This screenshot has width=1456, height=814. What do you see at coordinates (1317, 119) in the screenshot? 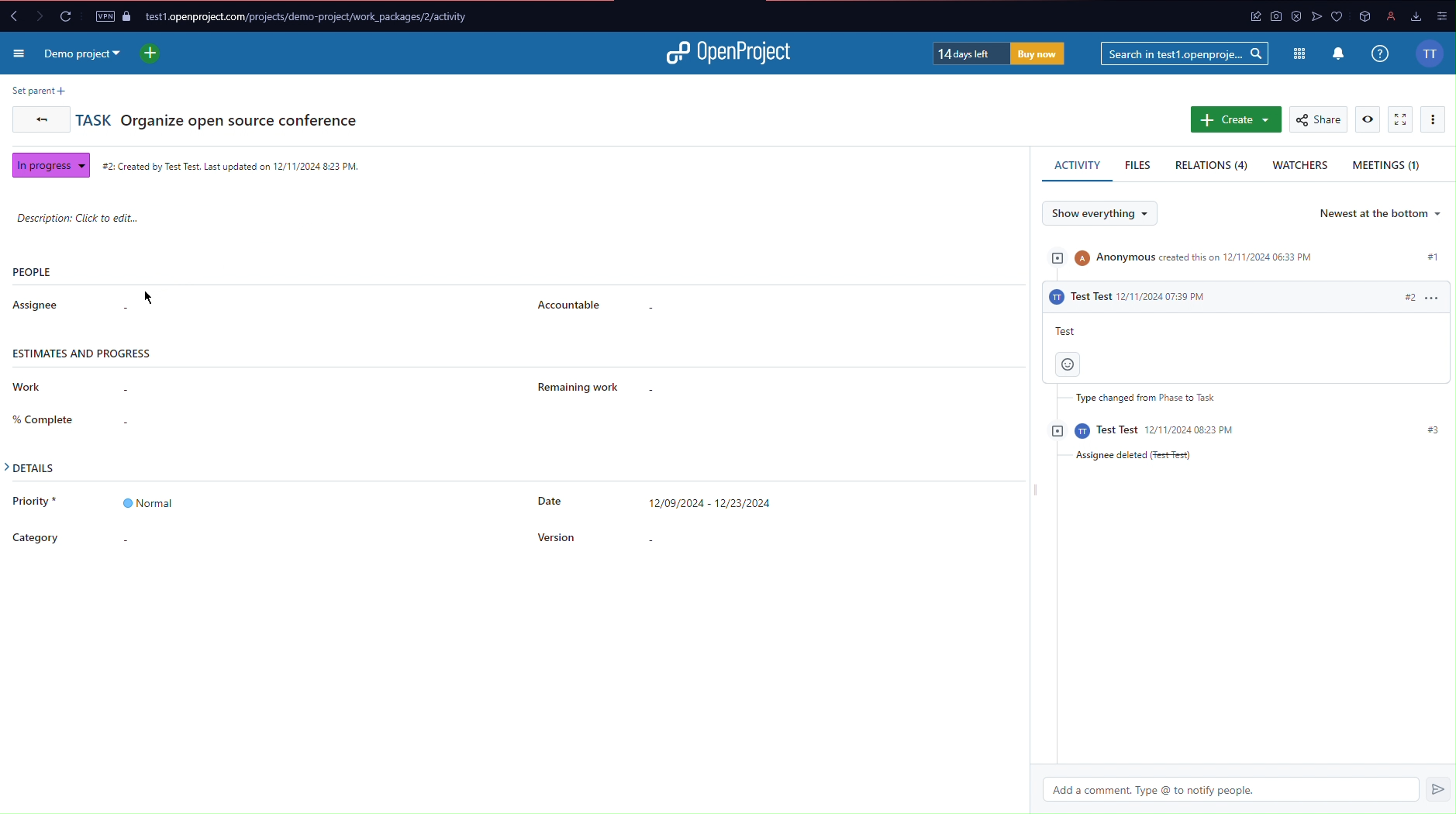
I see `Share` at bounding box center [1317, 119].